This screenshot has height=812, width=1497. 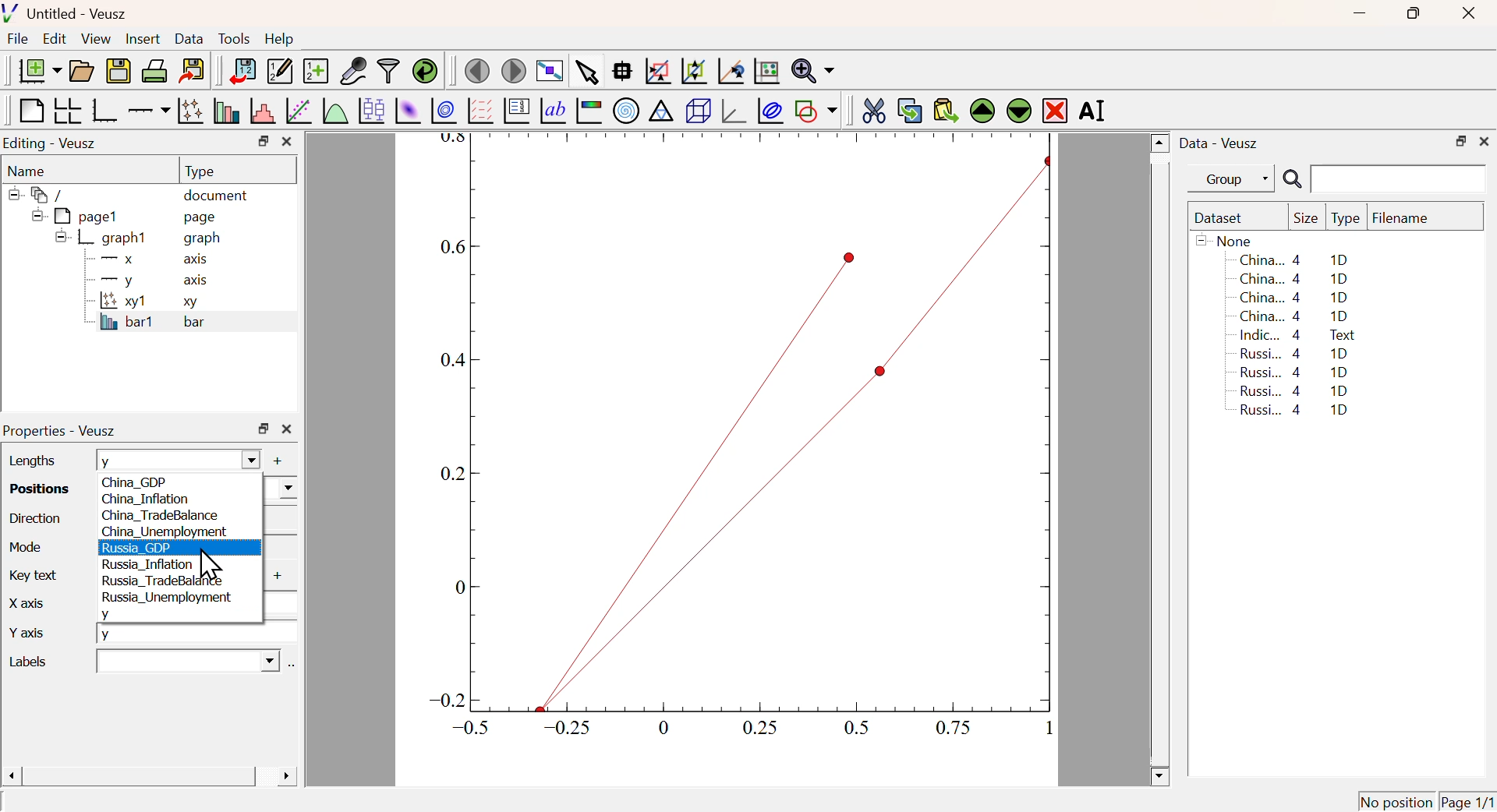 I want to click on X axis, so click(x=147, y=259).